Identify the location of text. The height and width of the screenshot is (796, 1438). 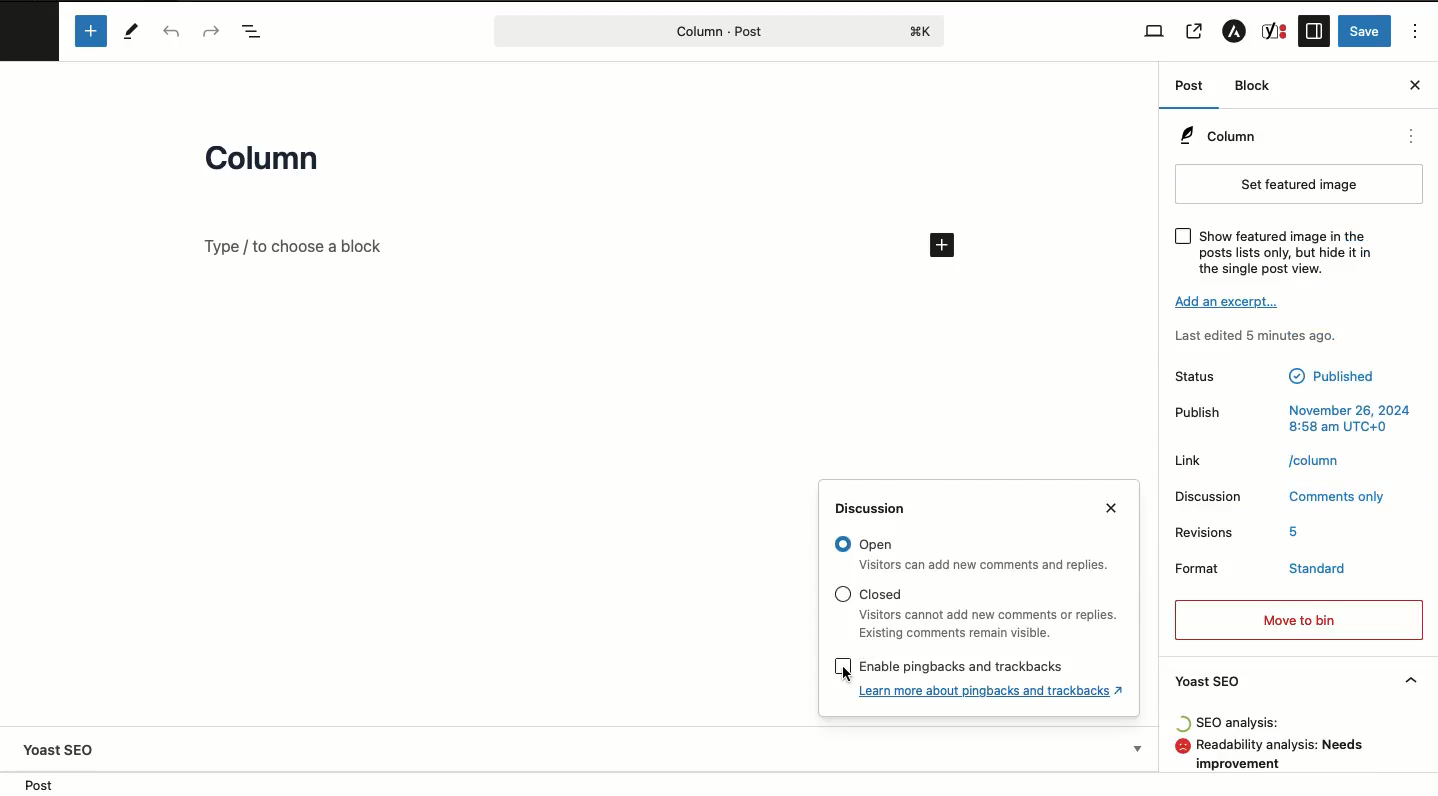
(1286, 251).